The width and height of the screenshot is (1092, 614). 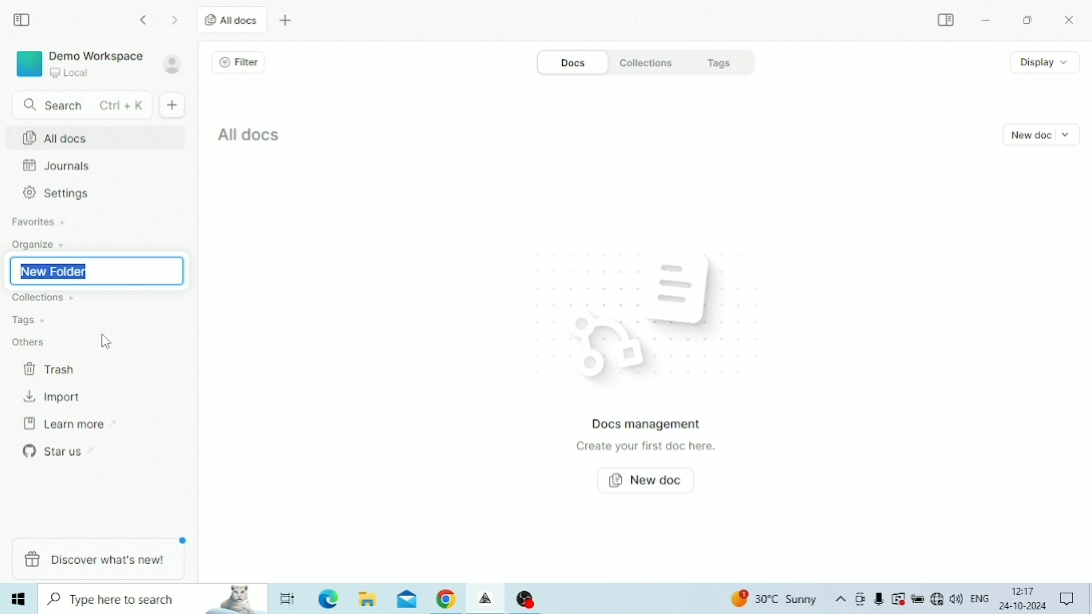 I want to click on Affine, so click(x=487, y=599).